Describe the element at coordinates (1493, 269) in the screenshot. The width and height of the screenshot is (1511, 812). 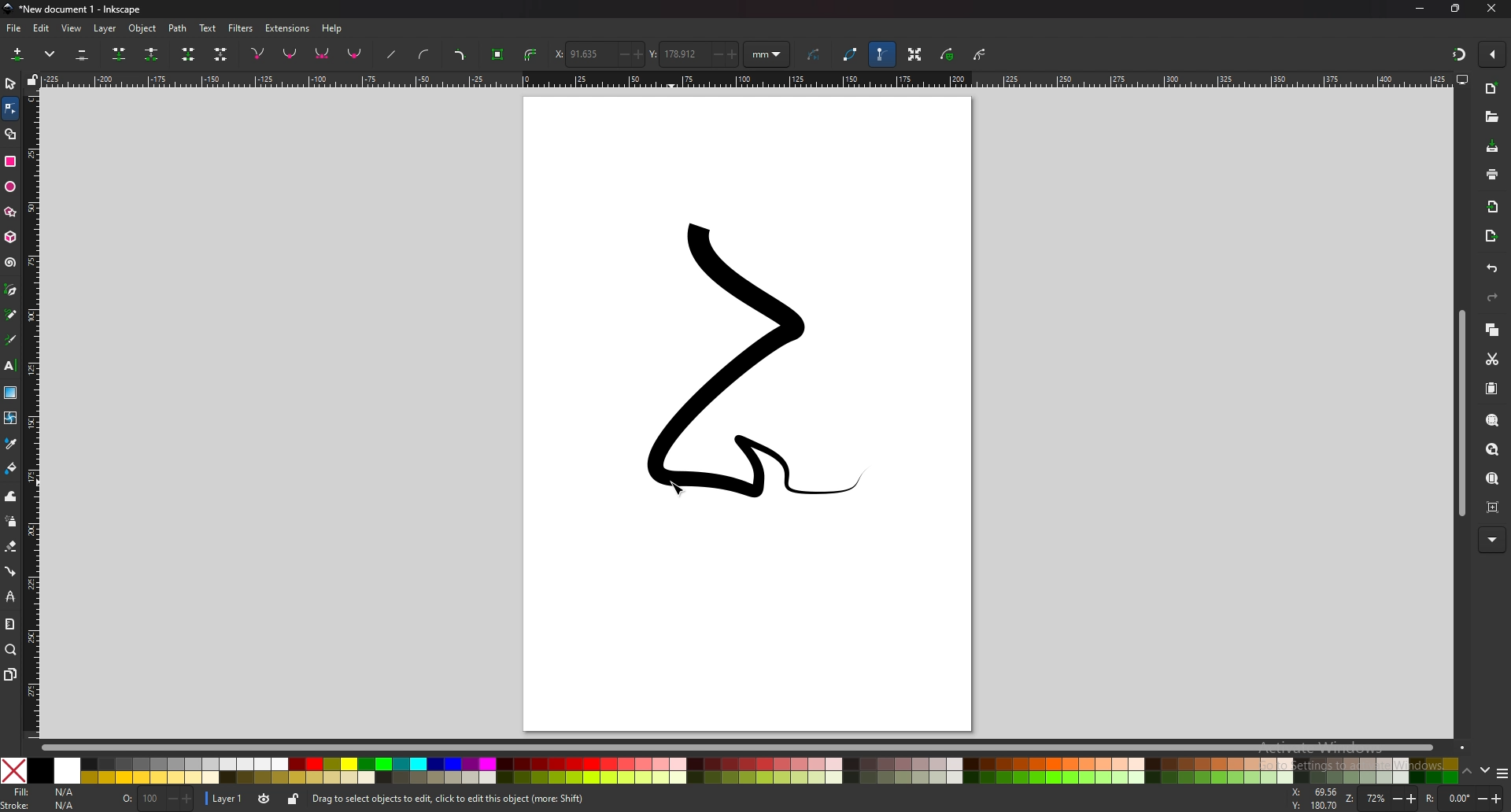
I see `undo` at that location.